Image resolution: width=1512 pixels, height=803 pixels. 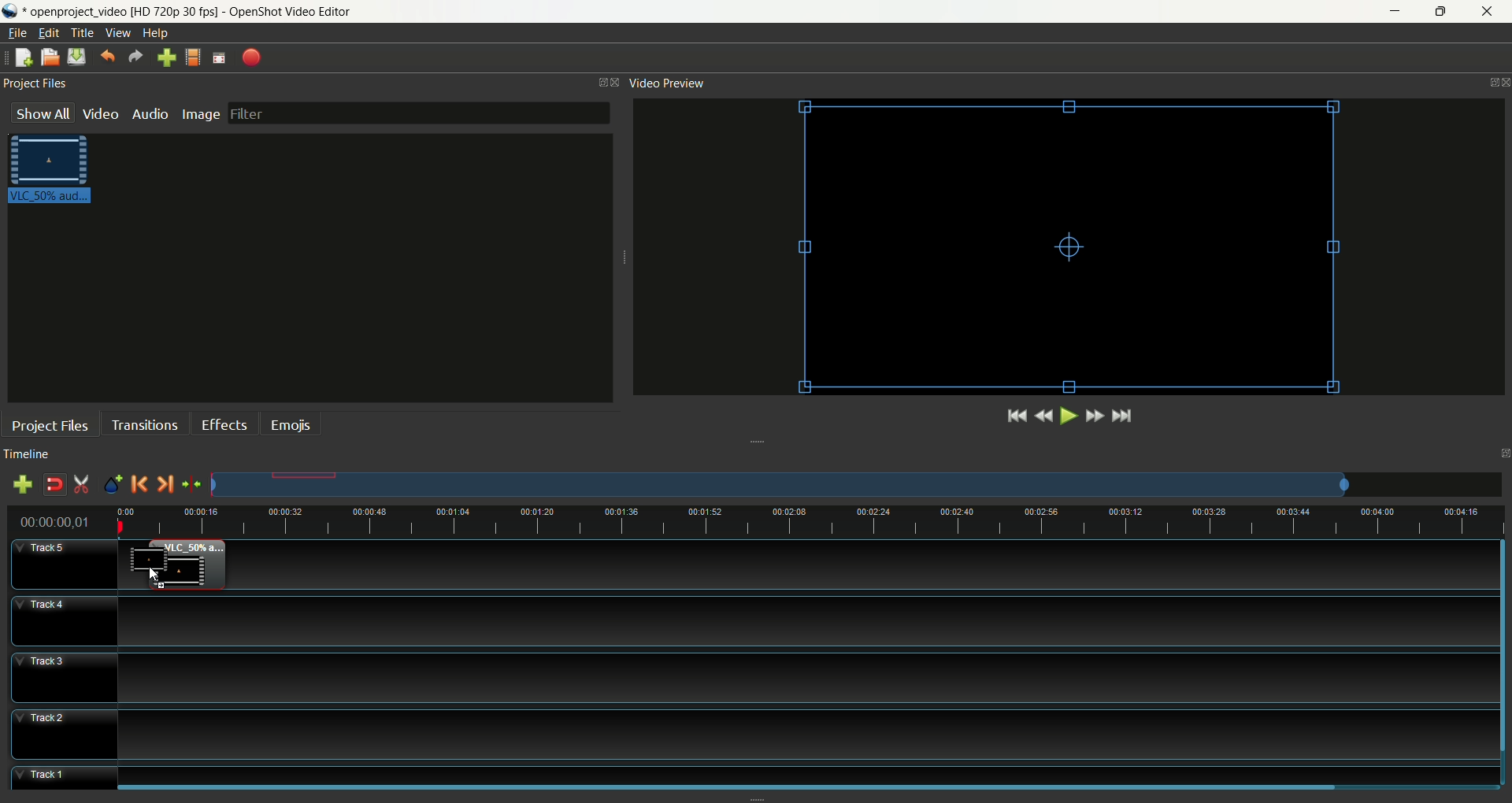 What do you see at coordinates (218, 57) in the screenshot?
I see `fullscreen` at bounding box center [218, 57].